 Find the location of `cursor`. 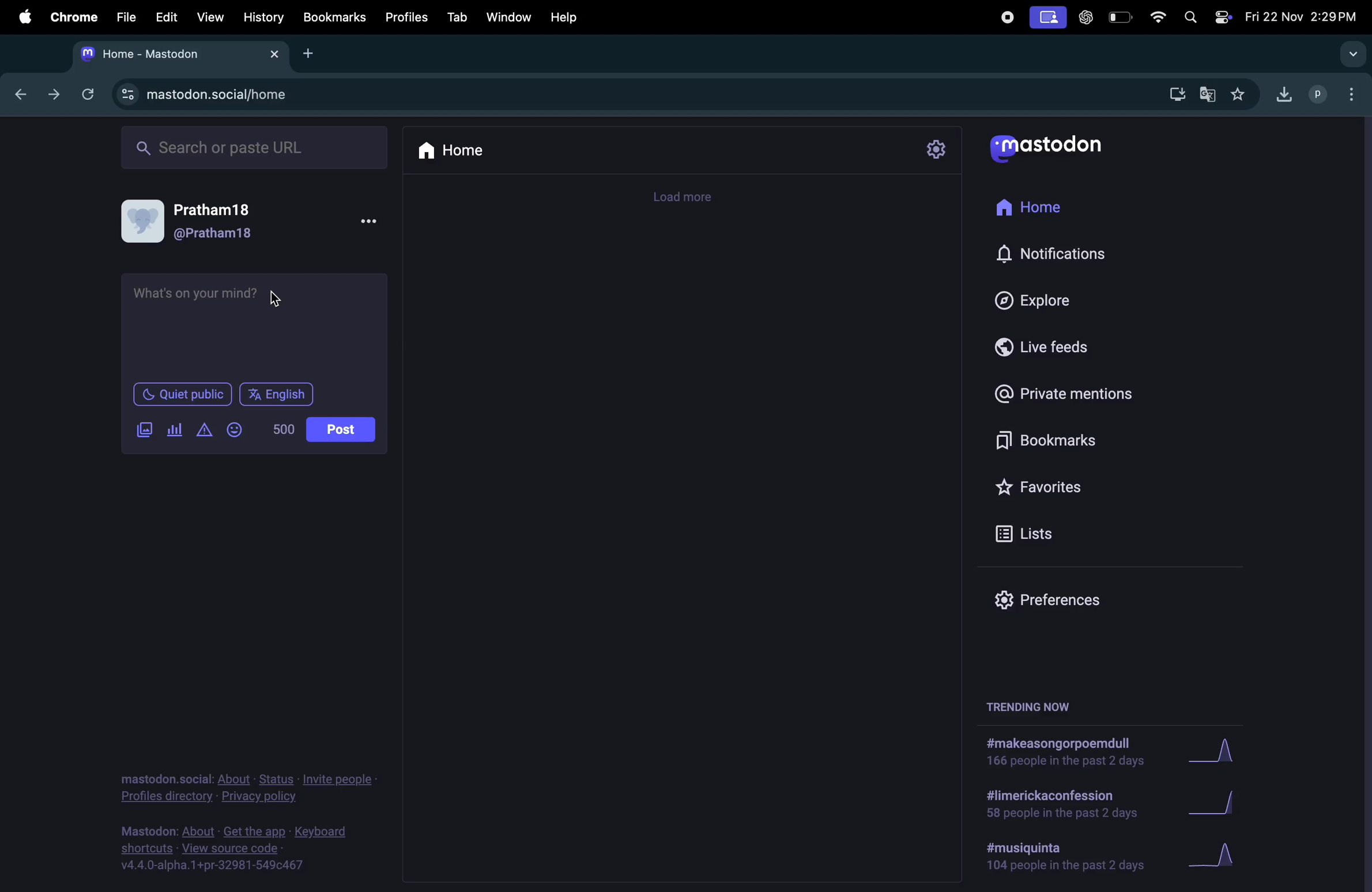

cursor is located at coordinates (272, 300).